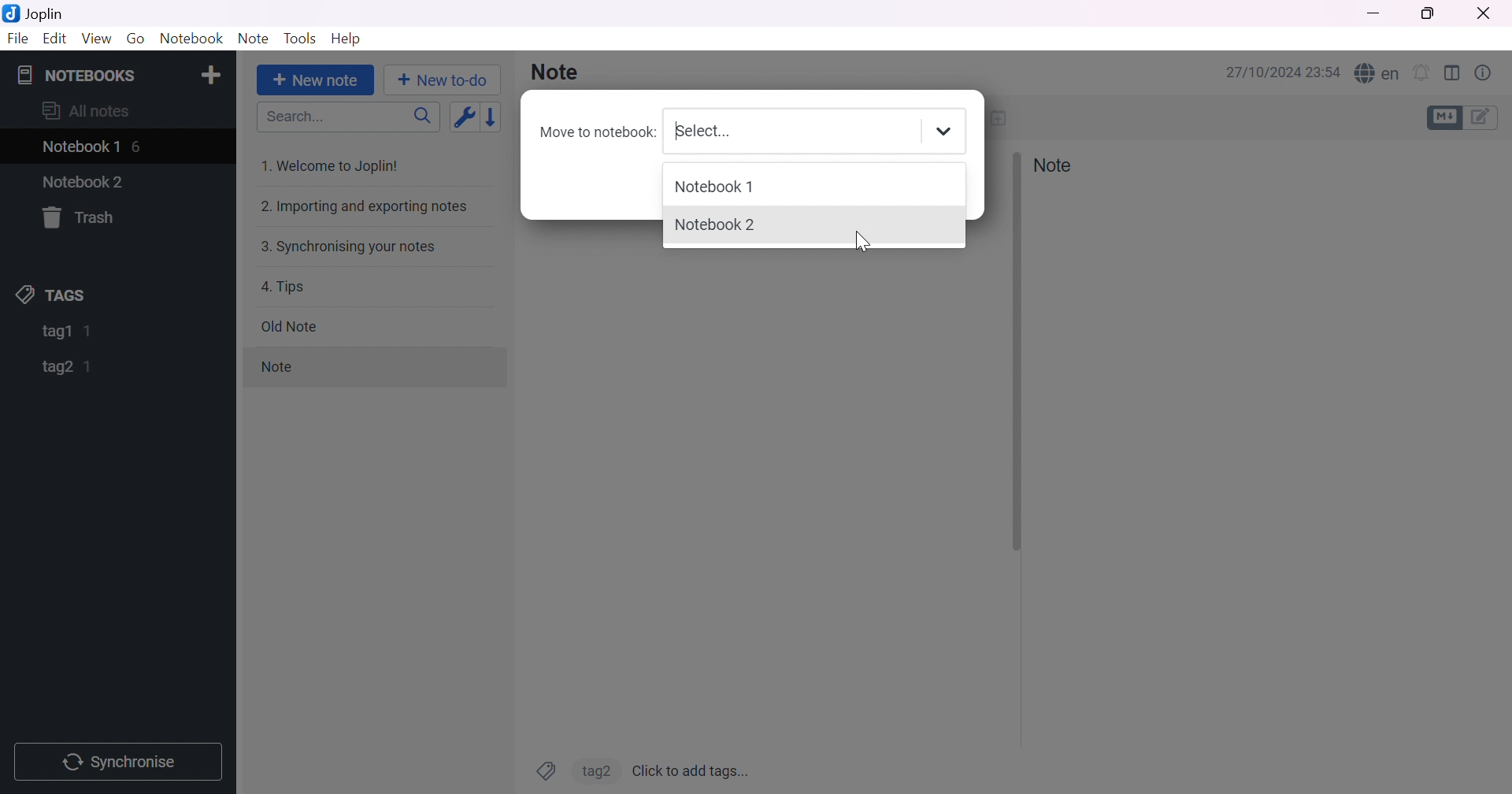  I want to click on NOTEBOOKS, so click(74, 73).